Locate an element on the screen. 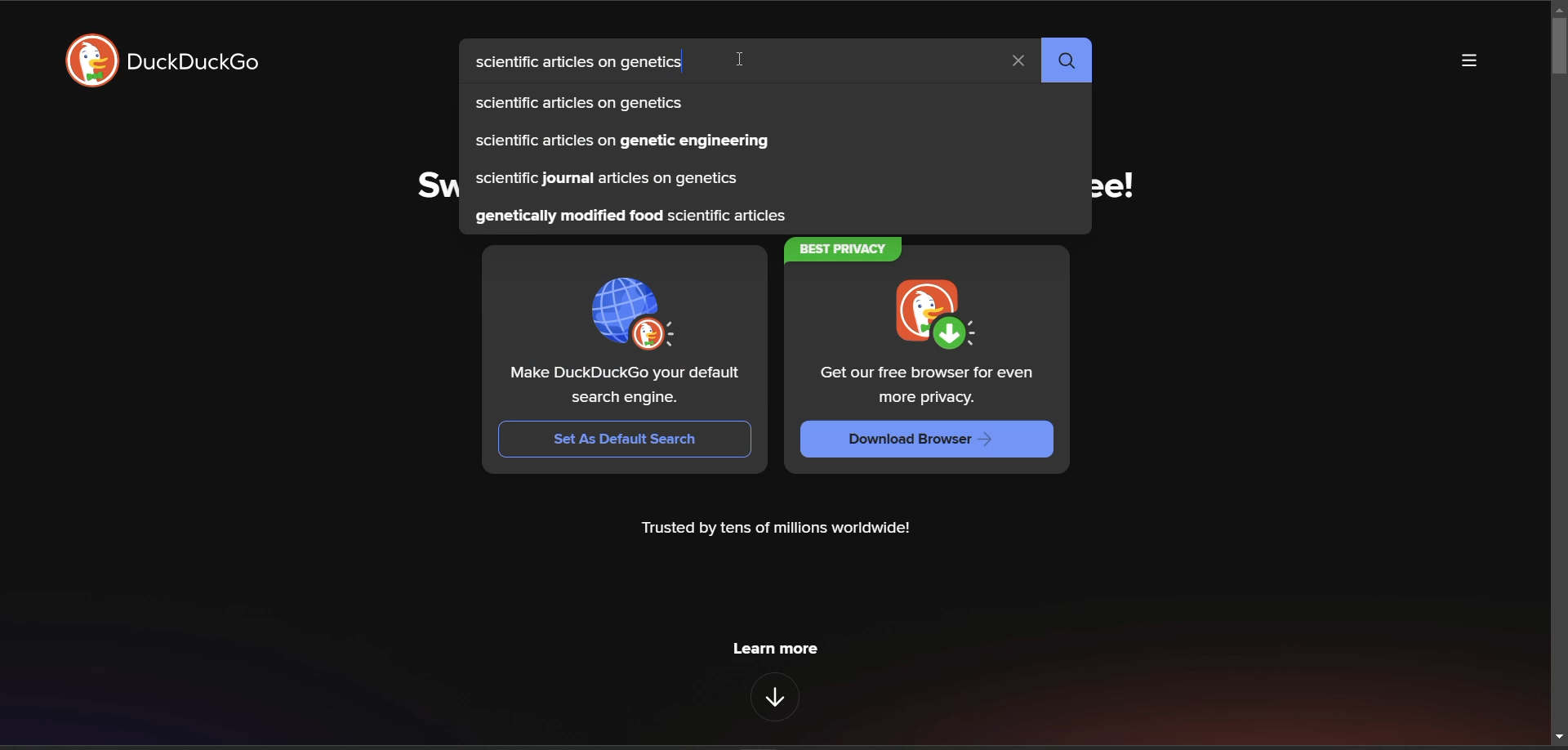 The height and width of the screenshot is (750, 1568). Make DuckDuckGo your default
search engine.
Set As Default Search is located at coordinates (626, 354).